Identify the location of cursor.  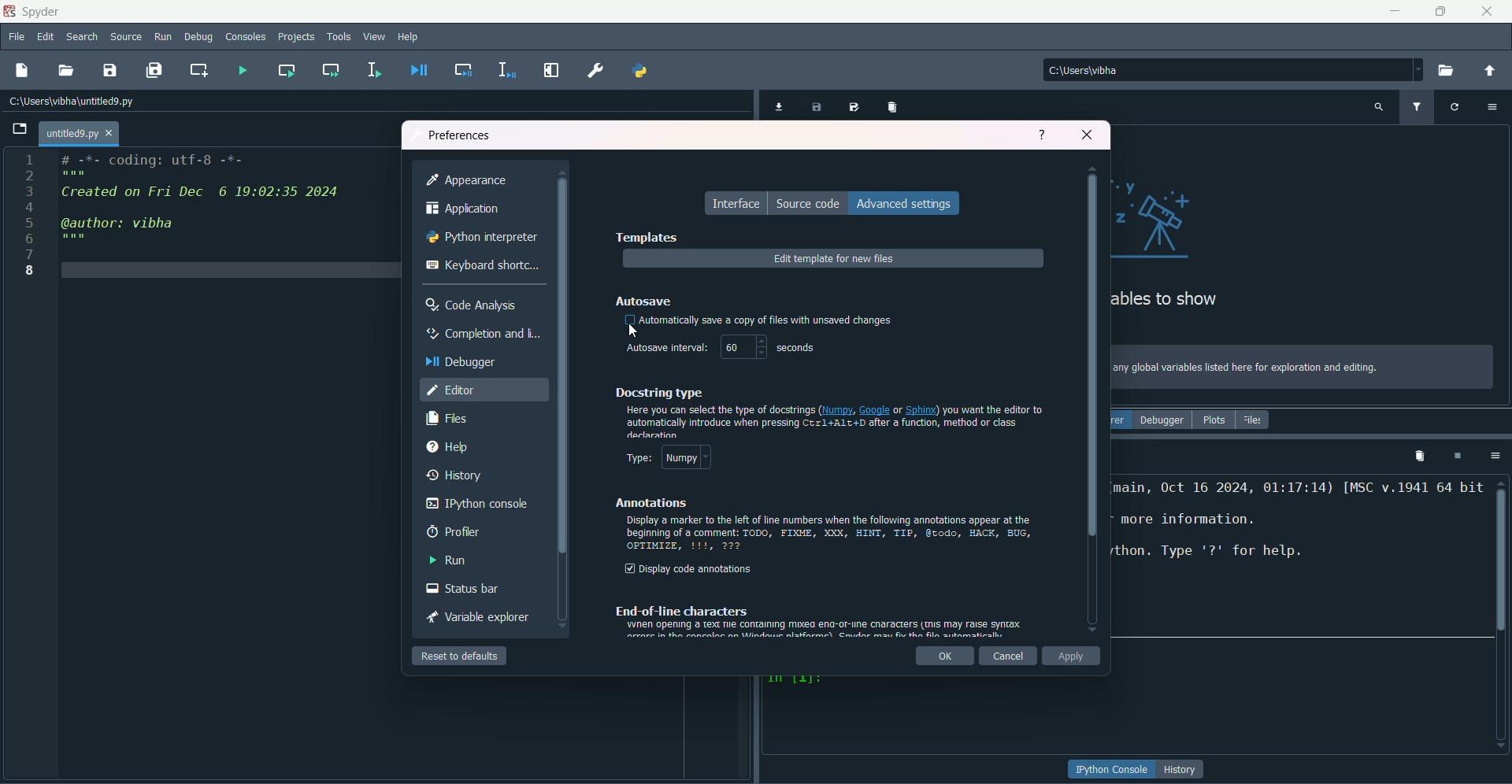
(634, 331).